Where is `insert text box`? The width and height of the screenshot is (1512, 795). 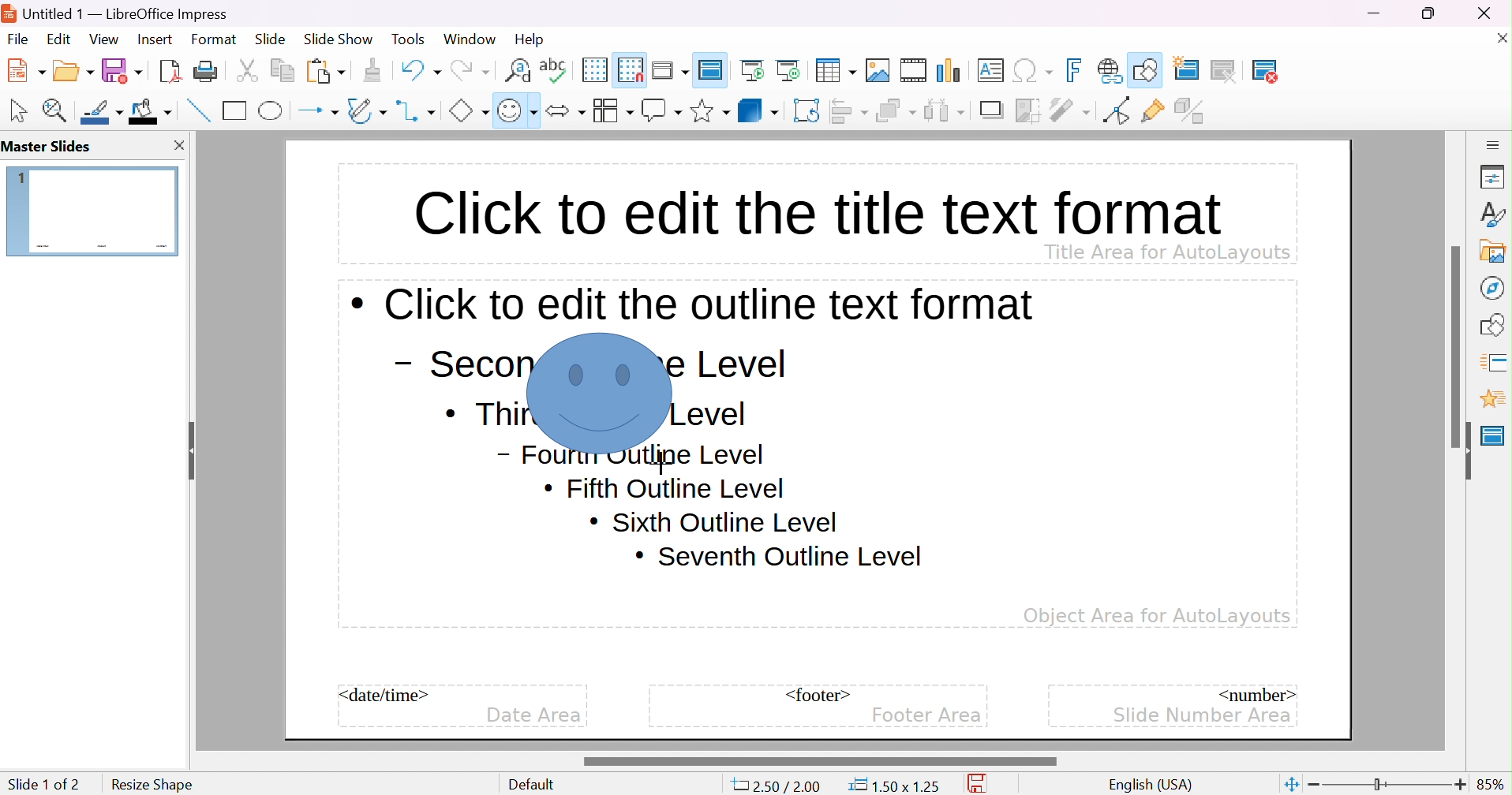
insert text box is located at coordinates (990, 69).